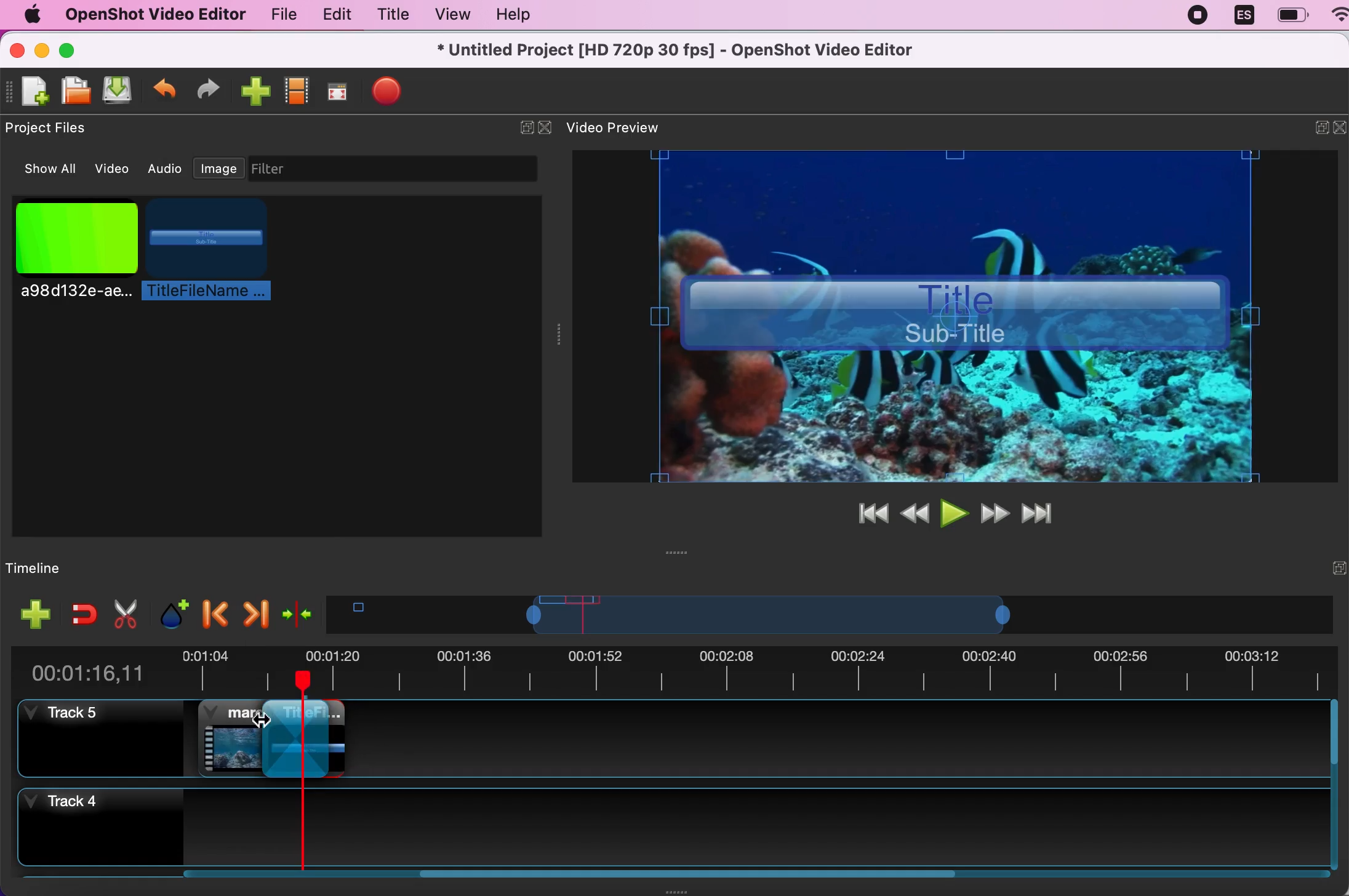  What do you see at coordinates (960, 317) in the screenshot?
I see `title applied` at bounding box center [960, 317].